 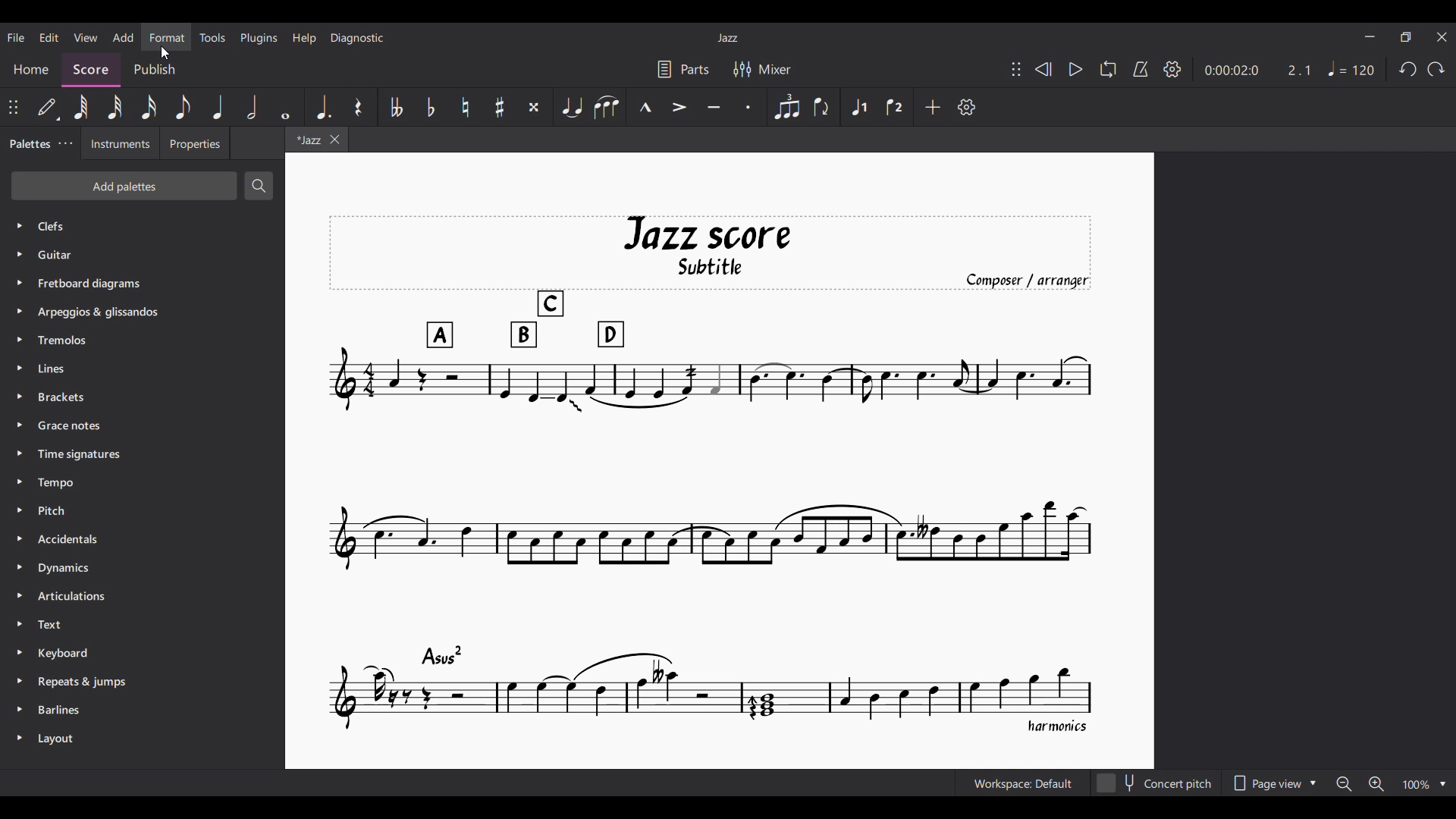 What do you see at coordinates (61, 343) in the screenshot?
I see `Tremolos` at bounding box center [61, 343].